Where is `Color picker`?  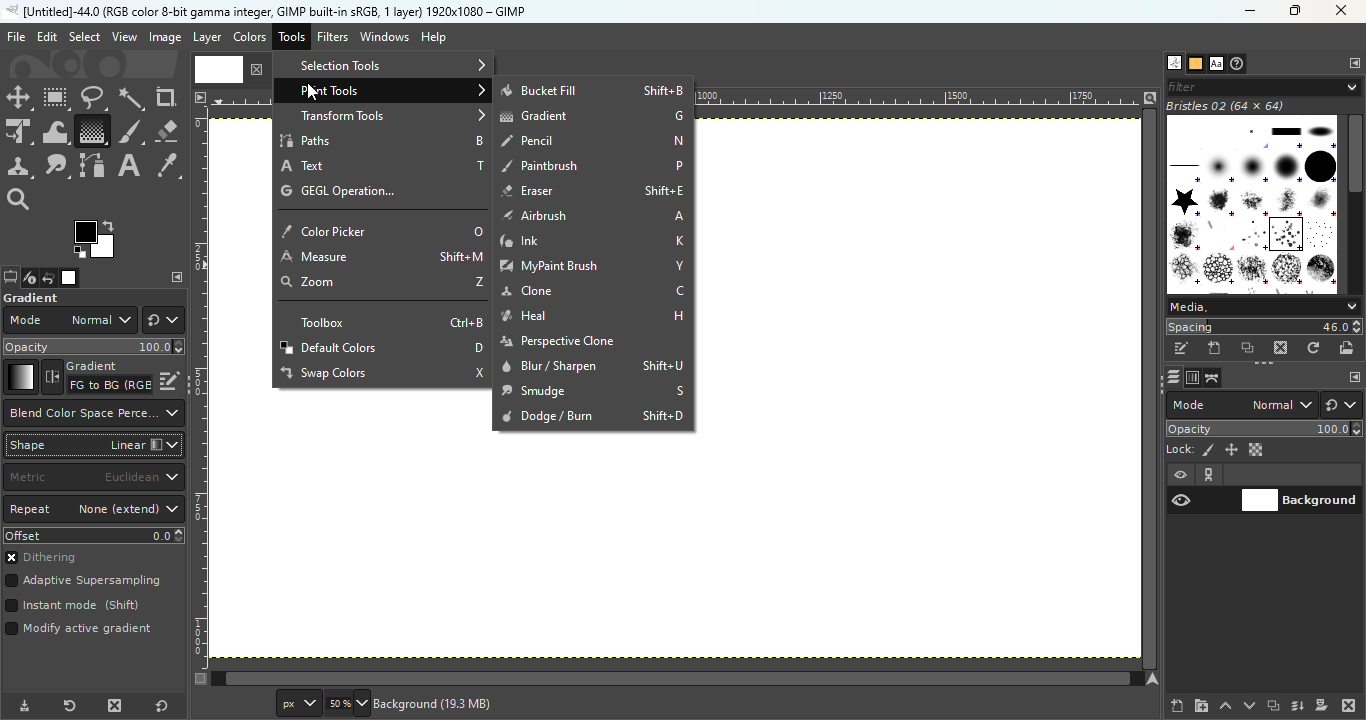 Color picker is located at coordinates (381, 225).